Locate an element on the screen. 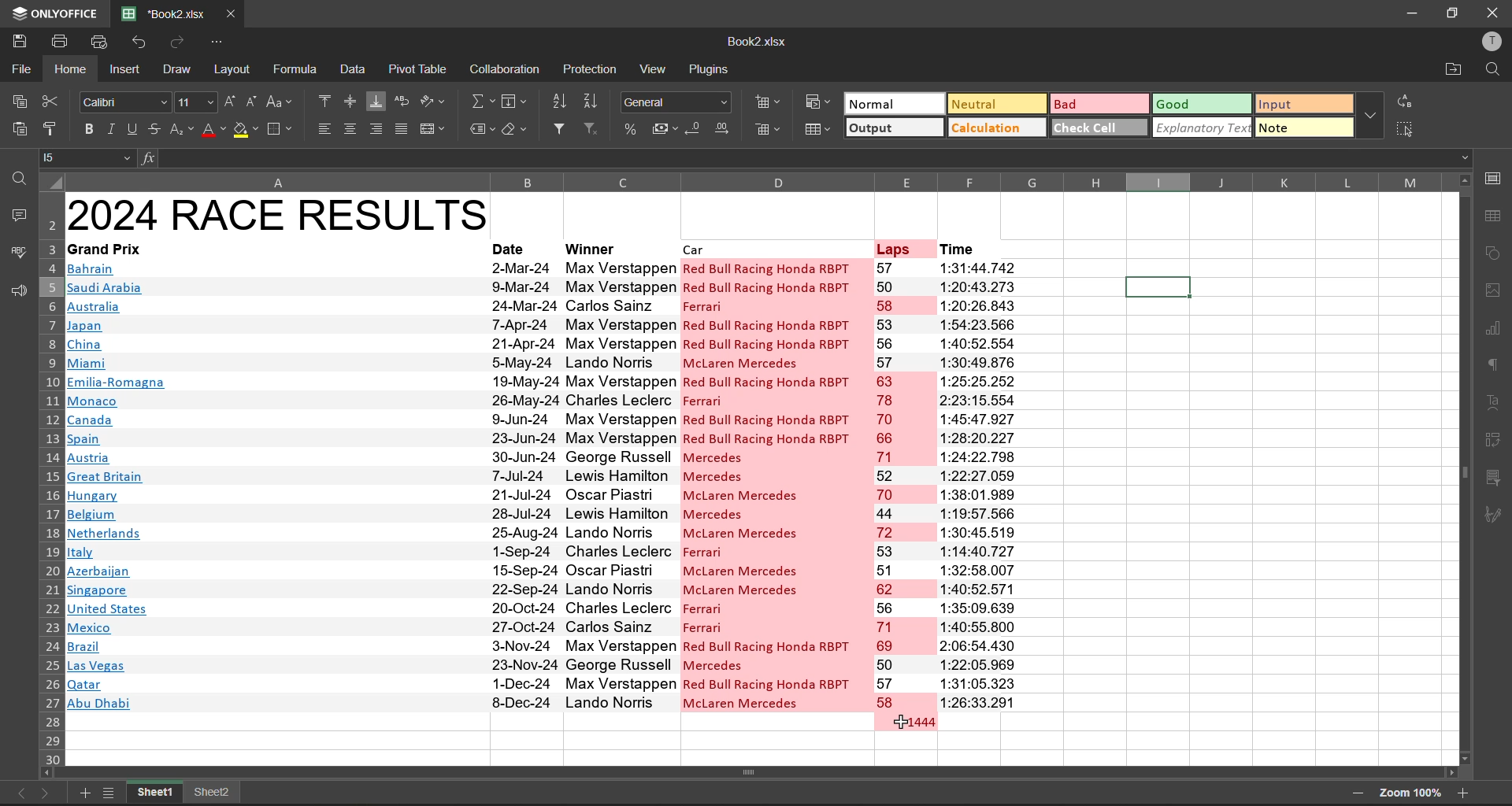 The height and width of the screenshot is (806, 1512). filter is located at coordinates (561, 125).